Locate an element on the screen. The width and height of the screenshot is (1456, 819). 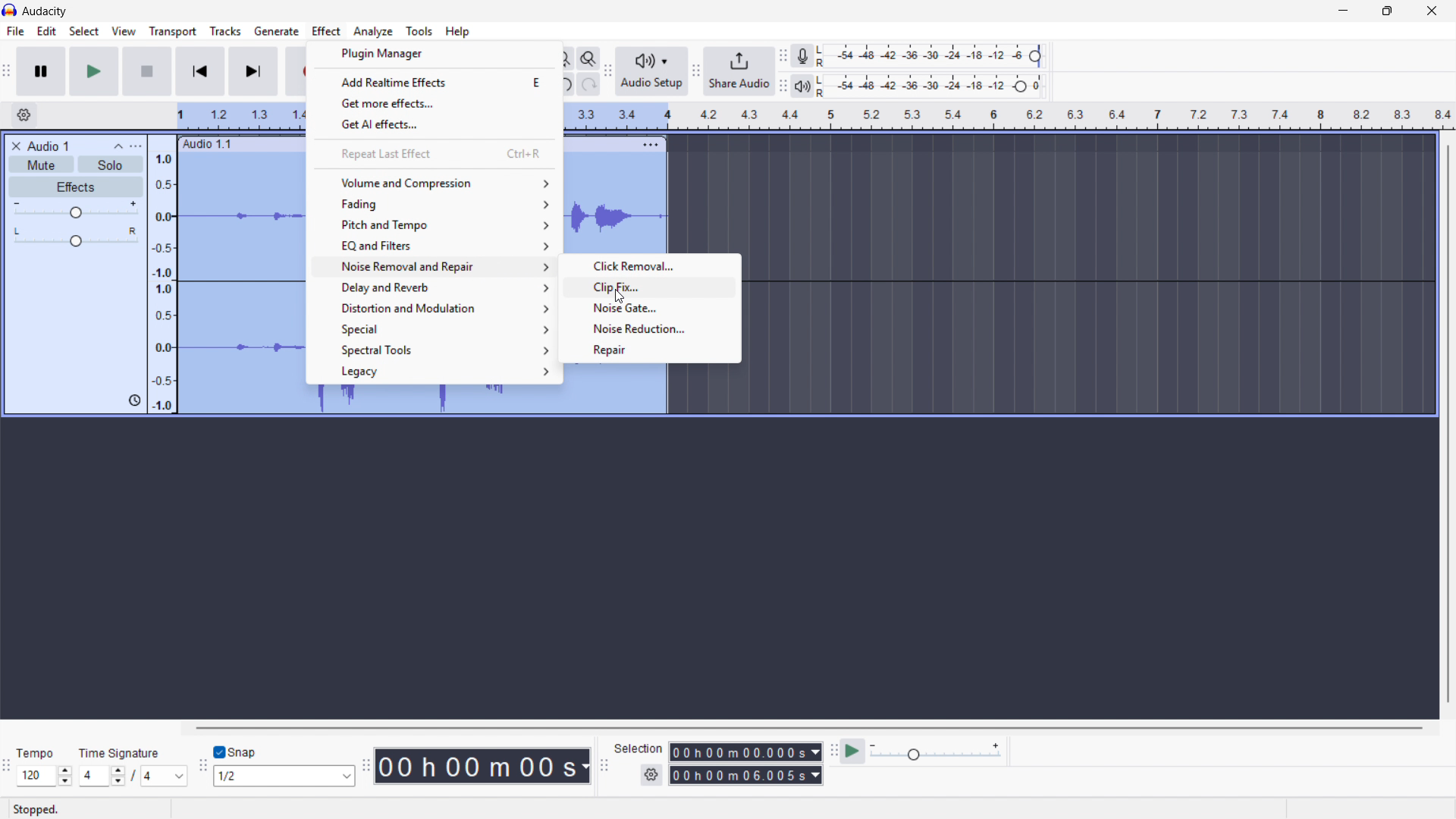
Maximise is located at coordinates (1389, 11).